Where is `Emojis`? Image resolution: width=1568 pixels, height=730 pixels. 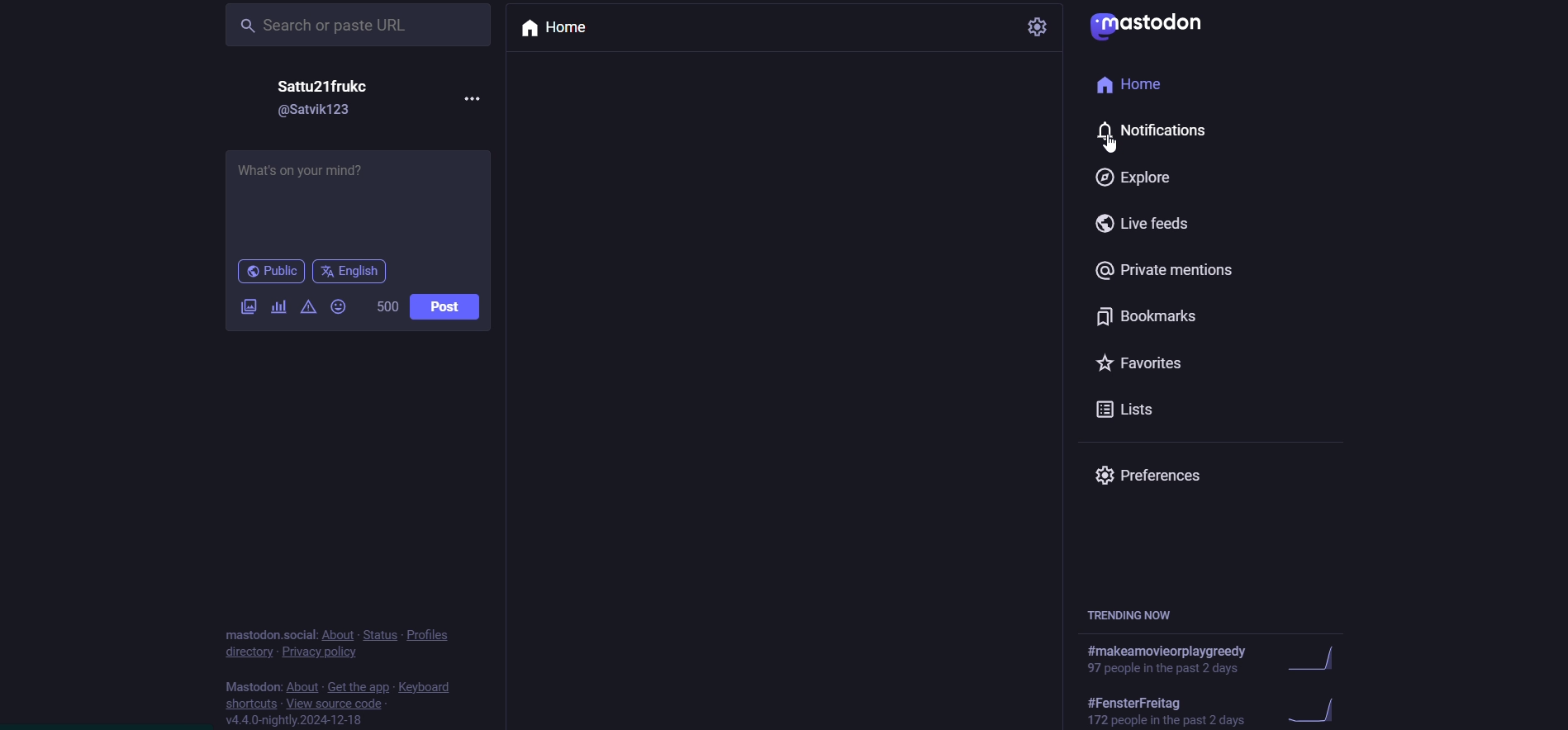
Emojis is located at coordinates (338, 306).